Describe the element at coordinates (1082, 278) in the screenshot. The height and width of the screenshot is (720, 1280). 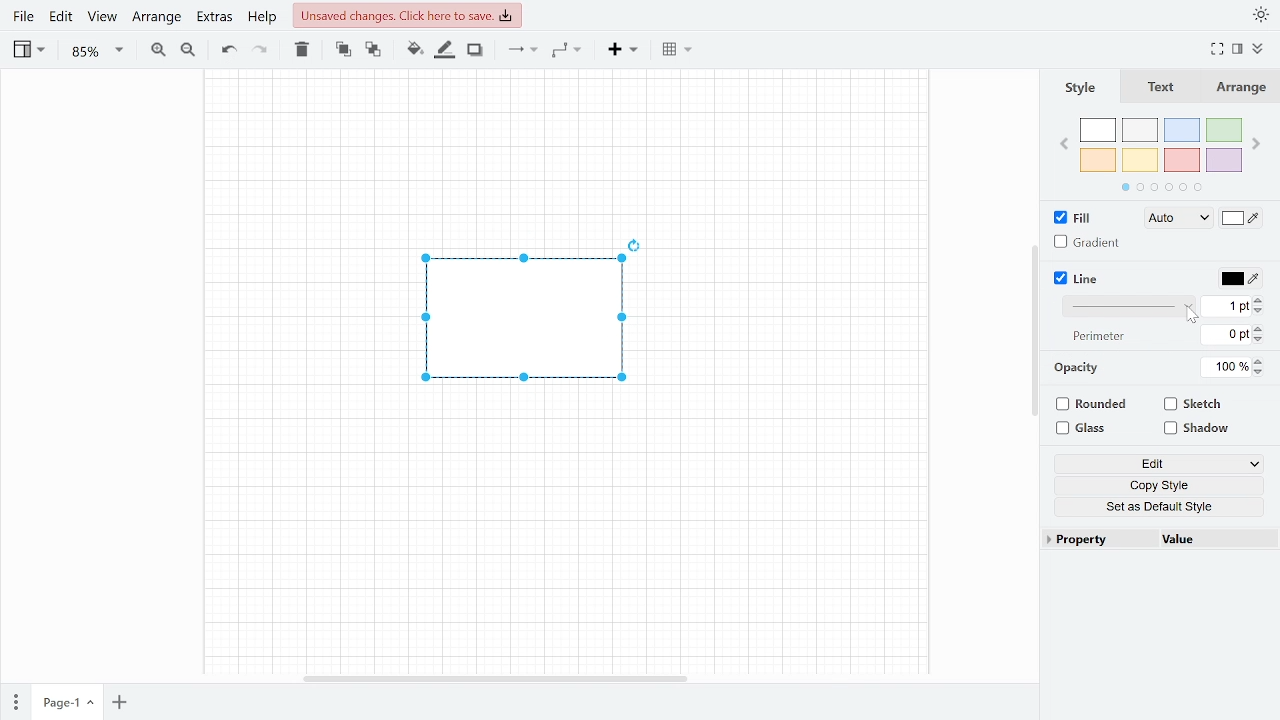
I see `Line` at that location.